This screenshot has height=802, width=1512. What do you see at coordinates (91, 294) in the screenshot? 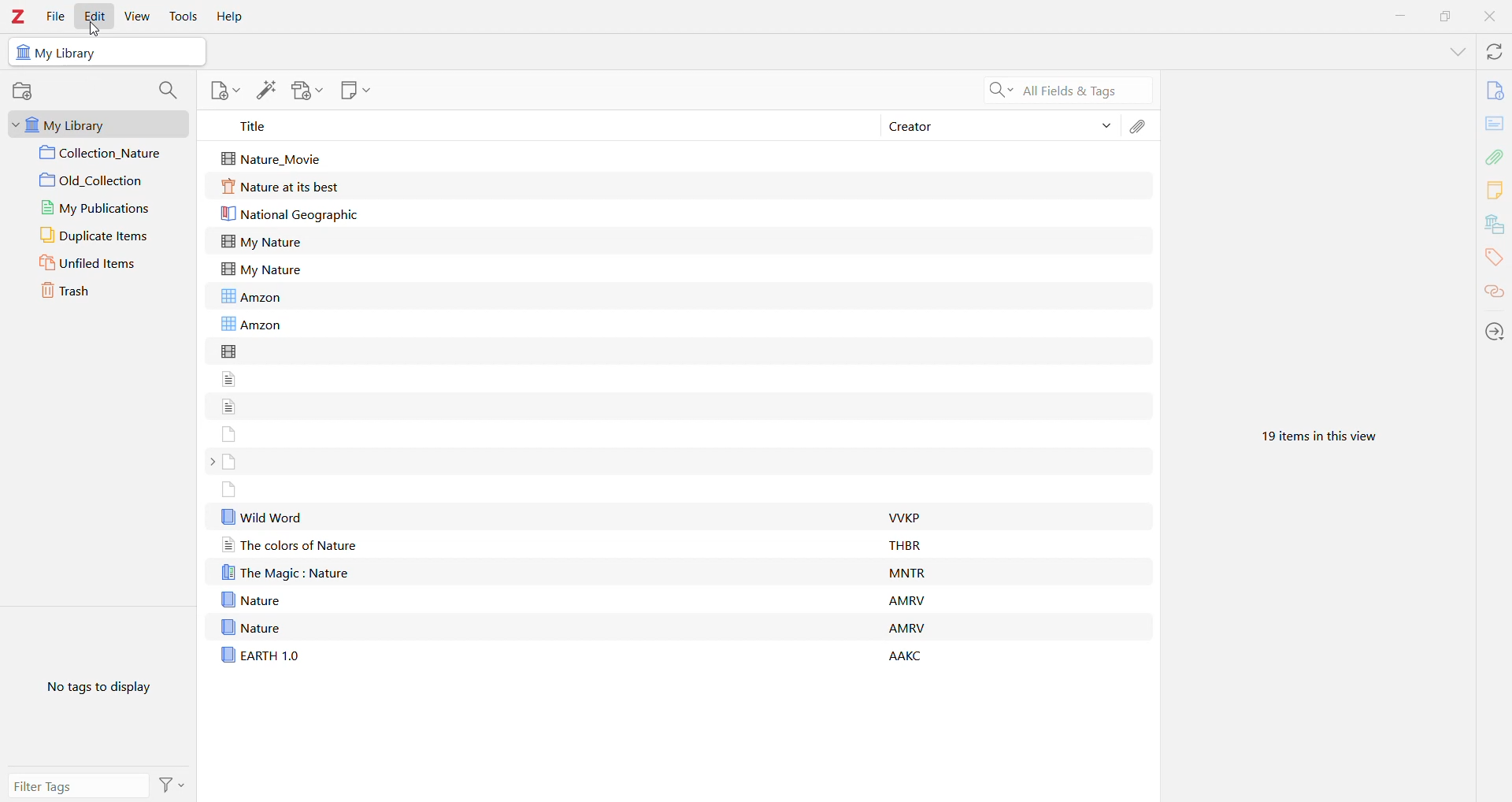
I see `Trash` at bounding box center [91, 294].